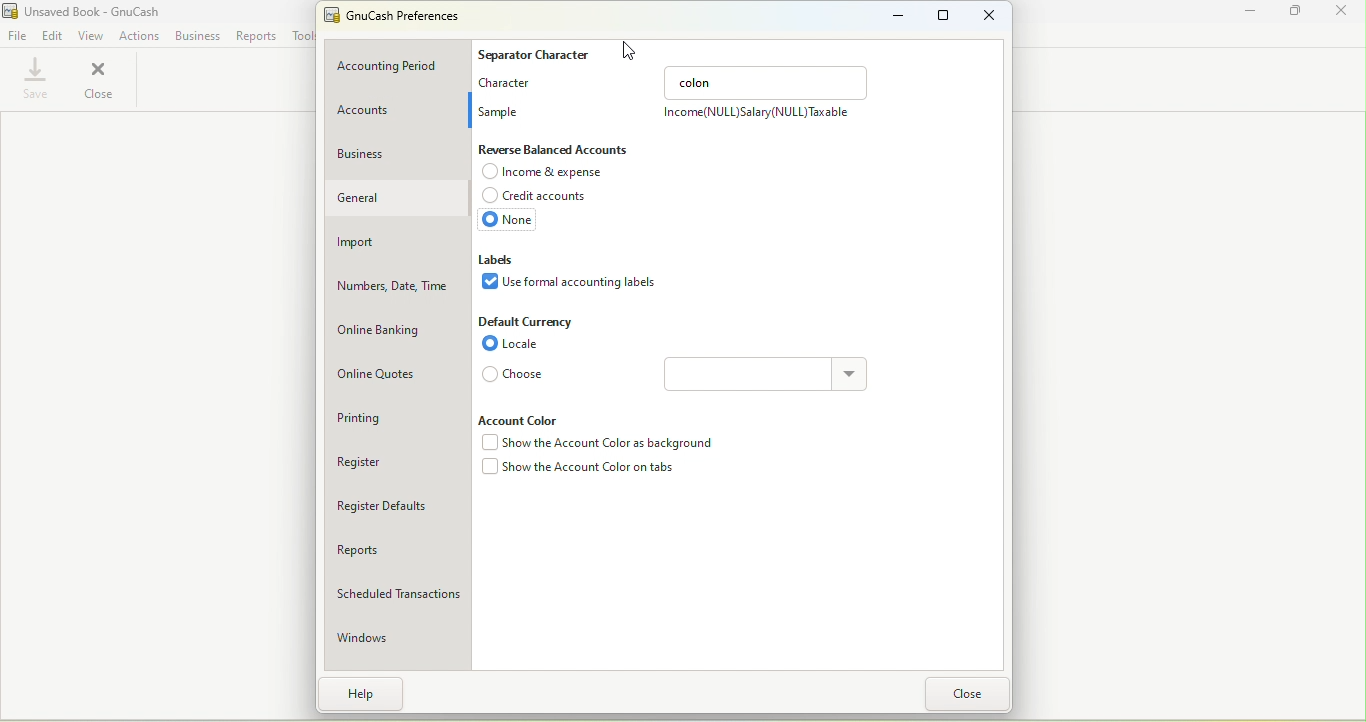 The height and width of the screenshot is (722, 1366). I want to click on Numbers, date, time, so click(397, 287).